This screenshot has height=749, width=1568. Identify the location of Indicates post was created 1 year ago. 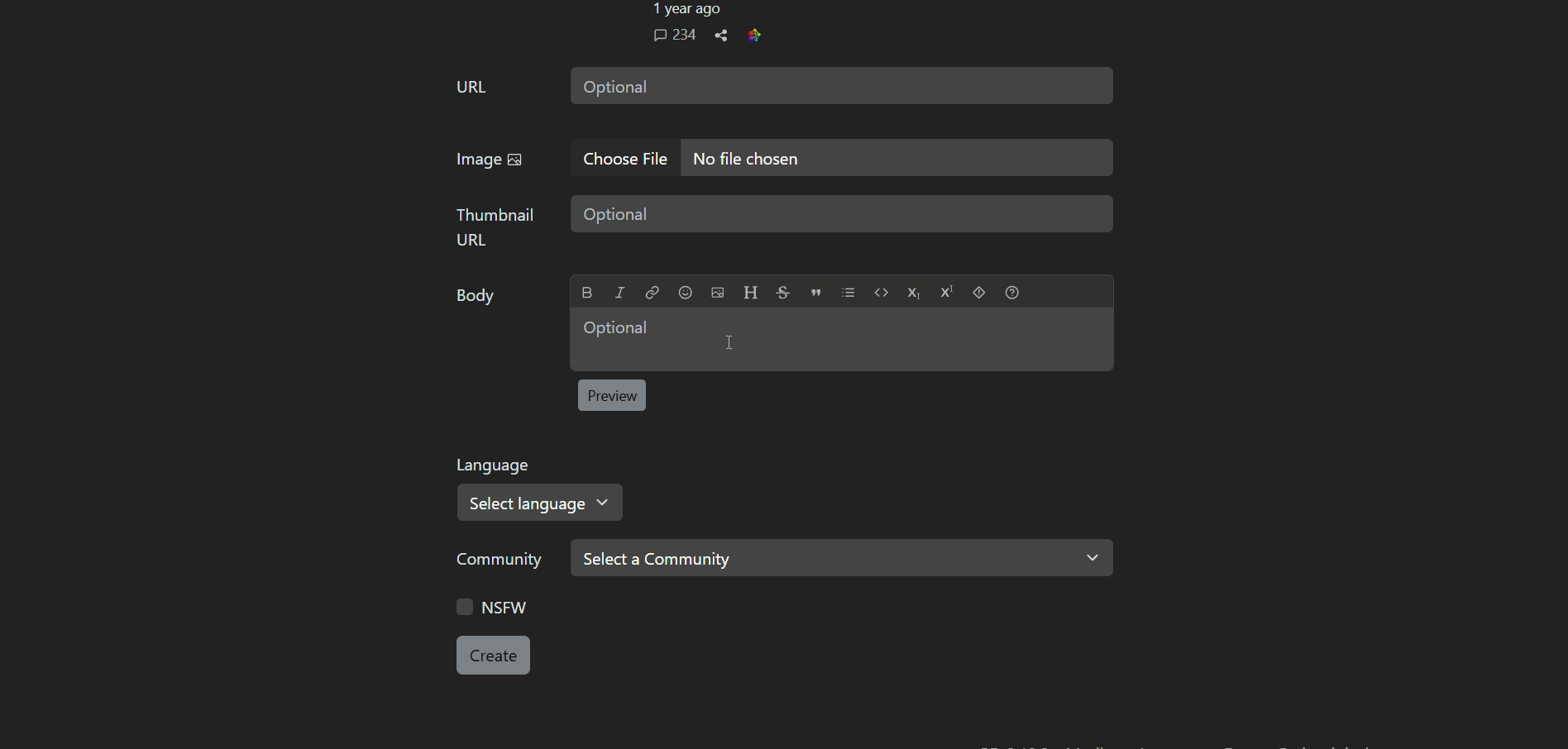
(685, 10).